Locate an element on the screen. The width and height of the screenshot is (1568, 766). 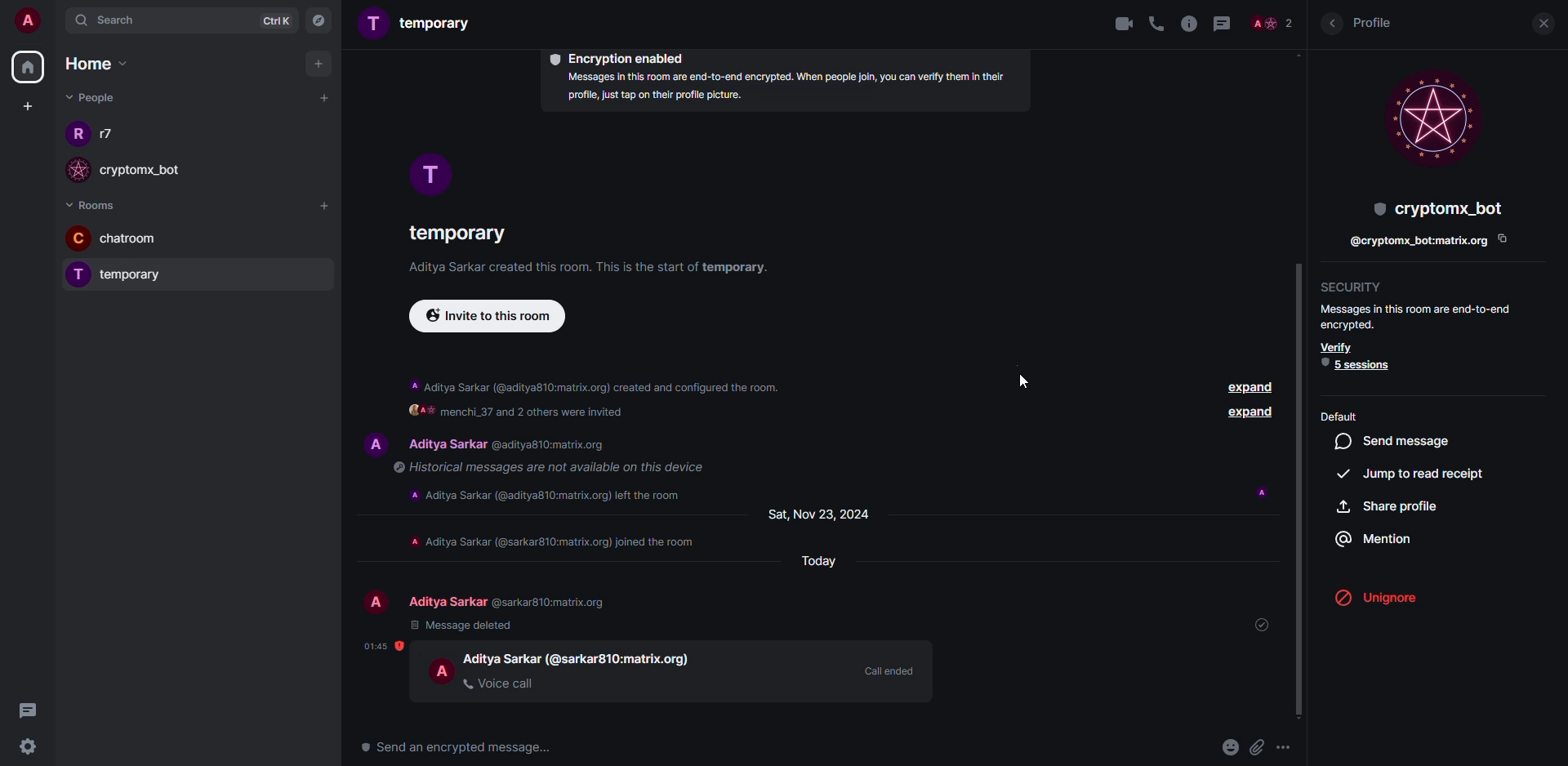
search is located at coordinates (111, 24).